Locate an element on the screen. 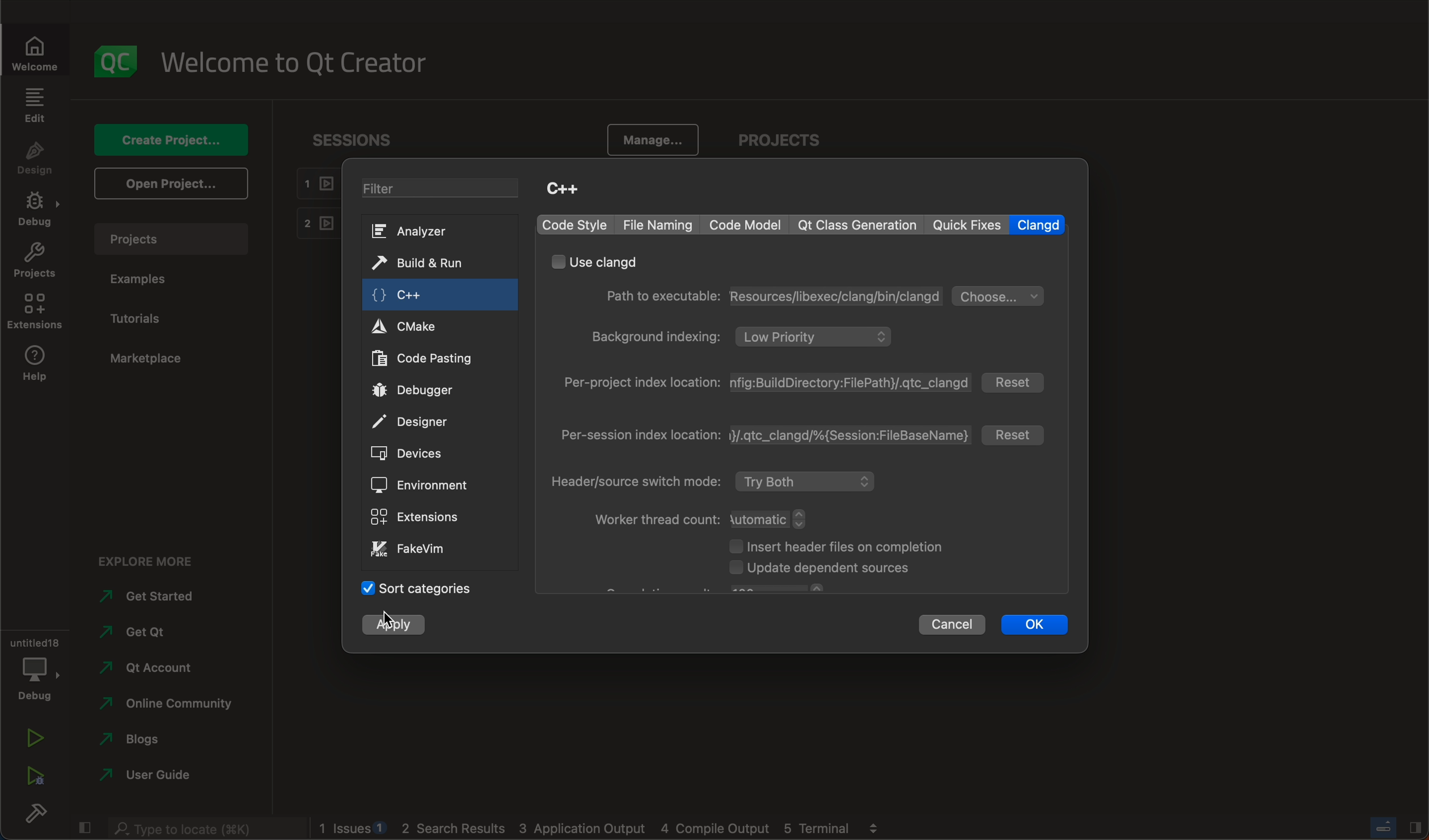 This screenshot has height=840, width=1429. environment is located at coordinates (428, 294).